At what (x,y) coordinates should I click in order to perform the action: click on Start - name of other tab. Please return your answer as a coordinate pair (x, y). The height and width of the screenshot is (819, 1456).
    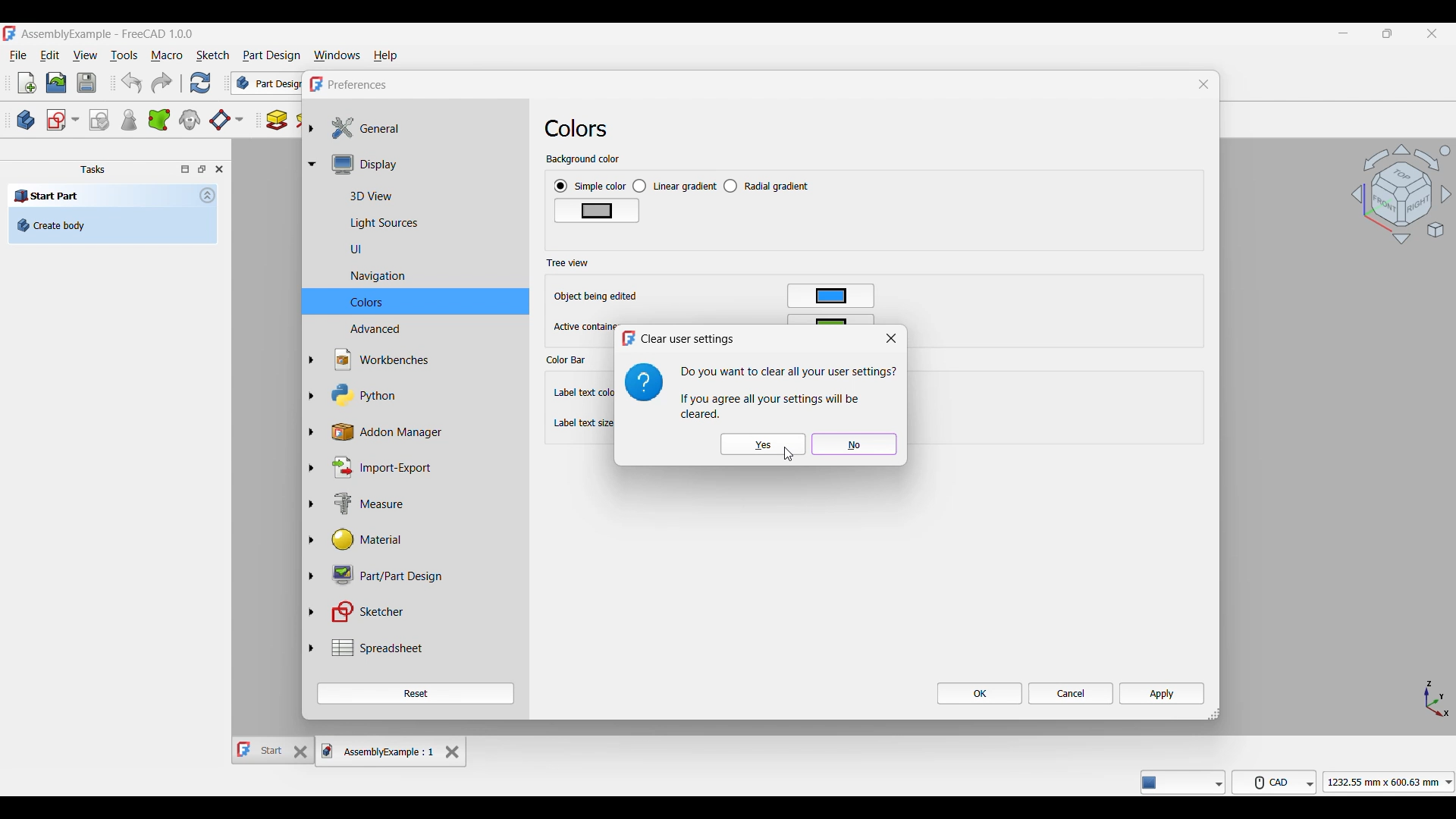
    Looking at the image, I should click on (261, 750).